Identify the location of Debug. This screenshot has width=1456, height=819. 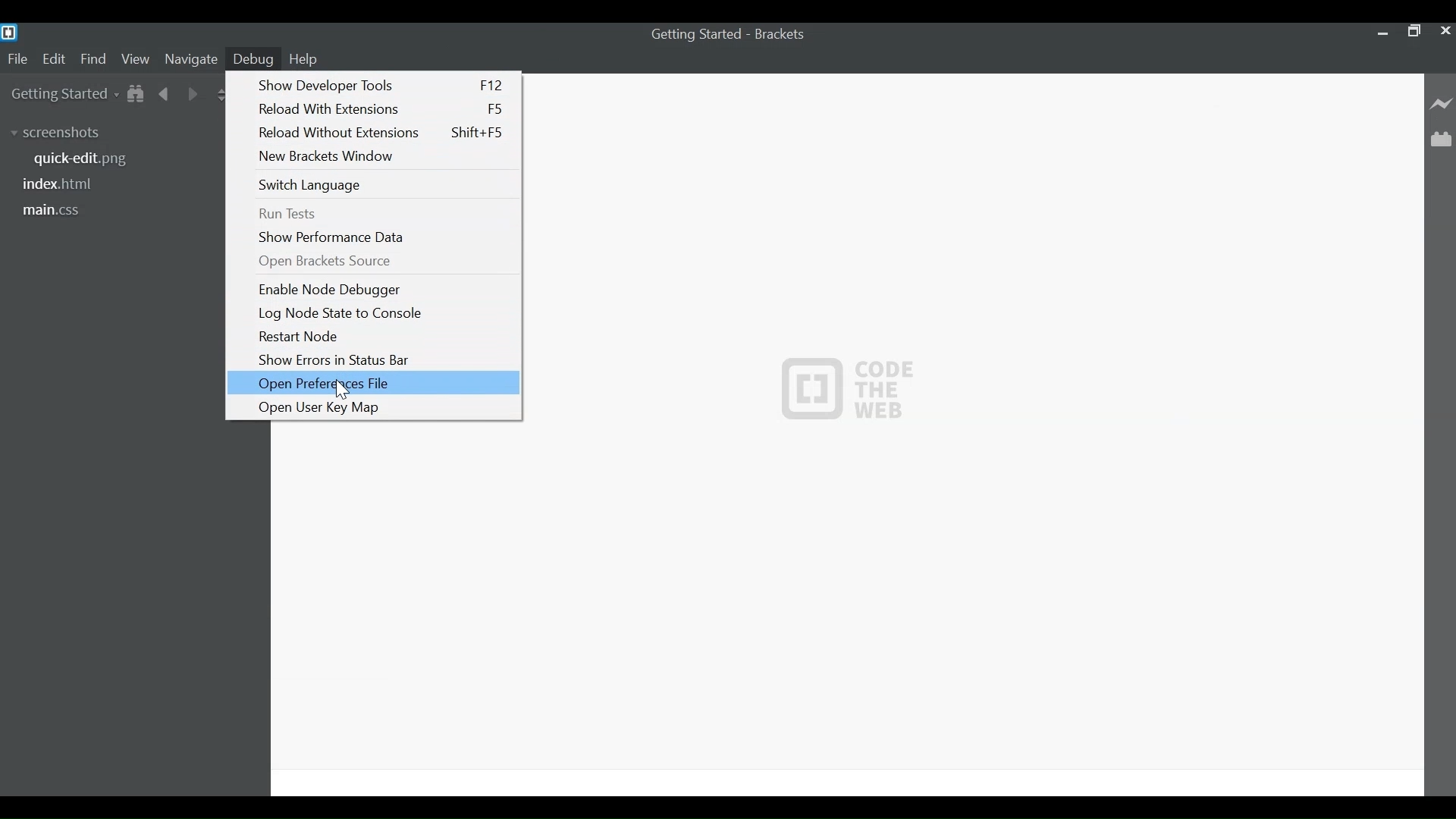
(253, 58).